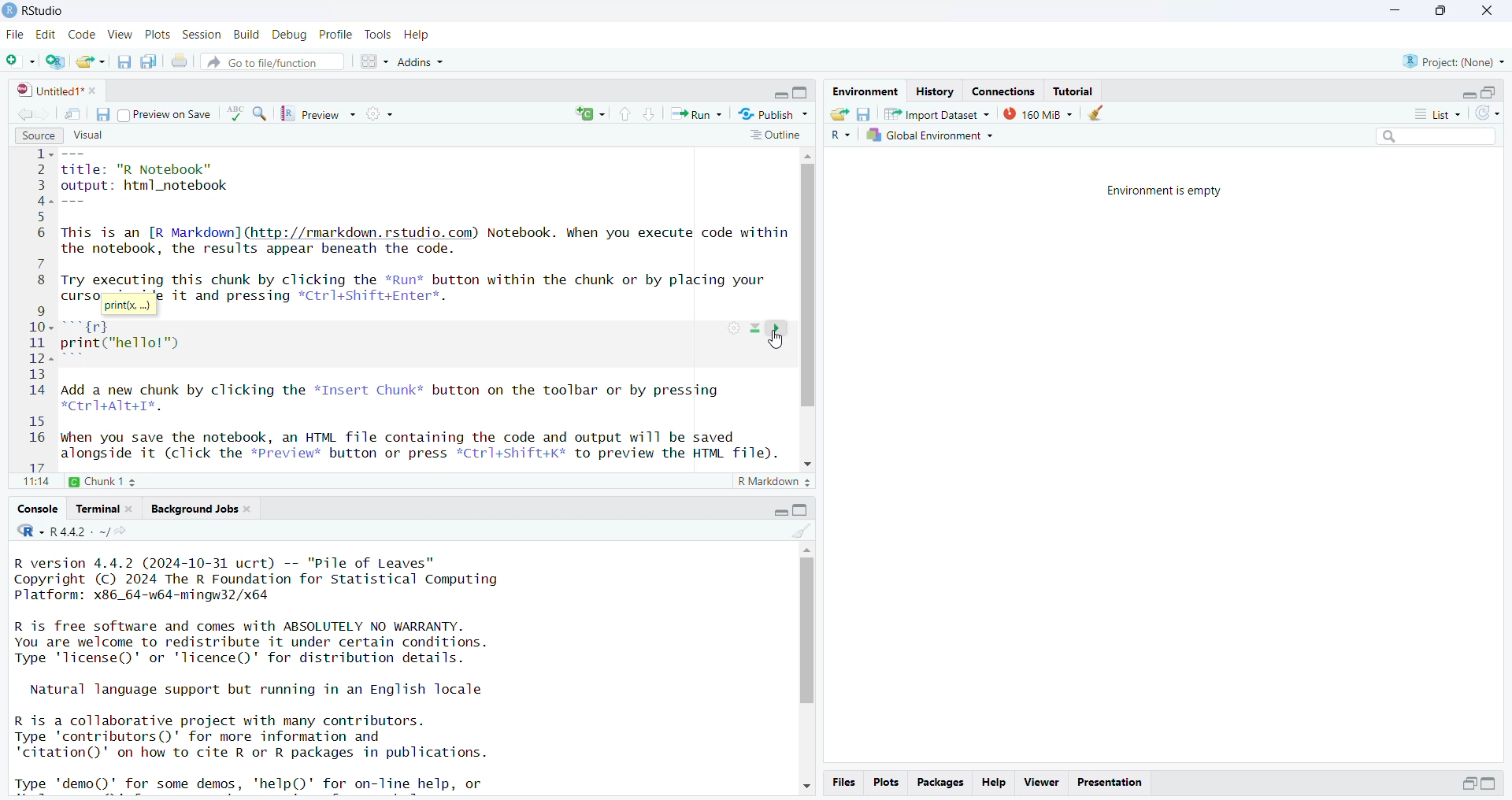 The height and width of the screenshot is (800, 1512). I want to click on 11:14, so click(35, 483).